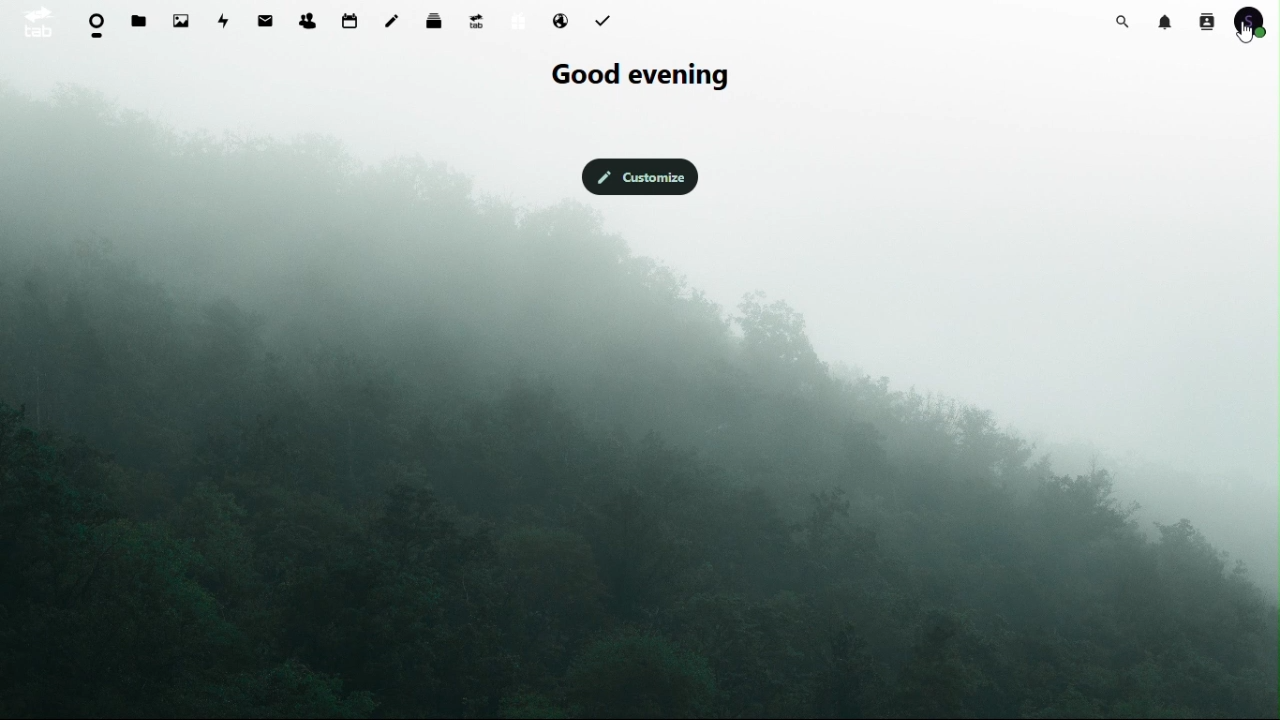 This screenshot has height=720, width=1280. Describe the element at coordinates (605, 19) in the screenshot. I see `Tasks` at that location.